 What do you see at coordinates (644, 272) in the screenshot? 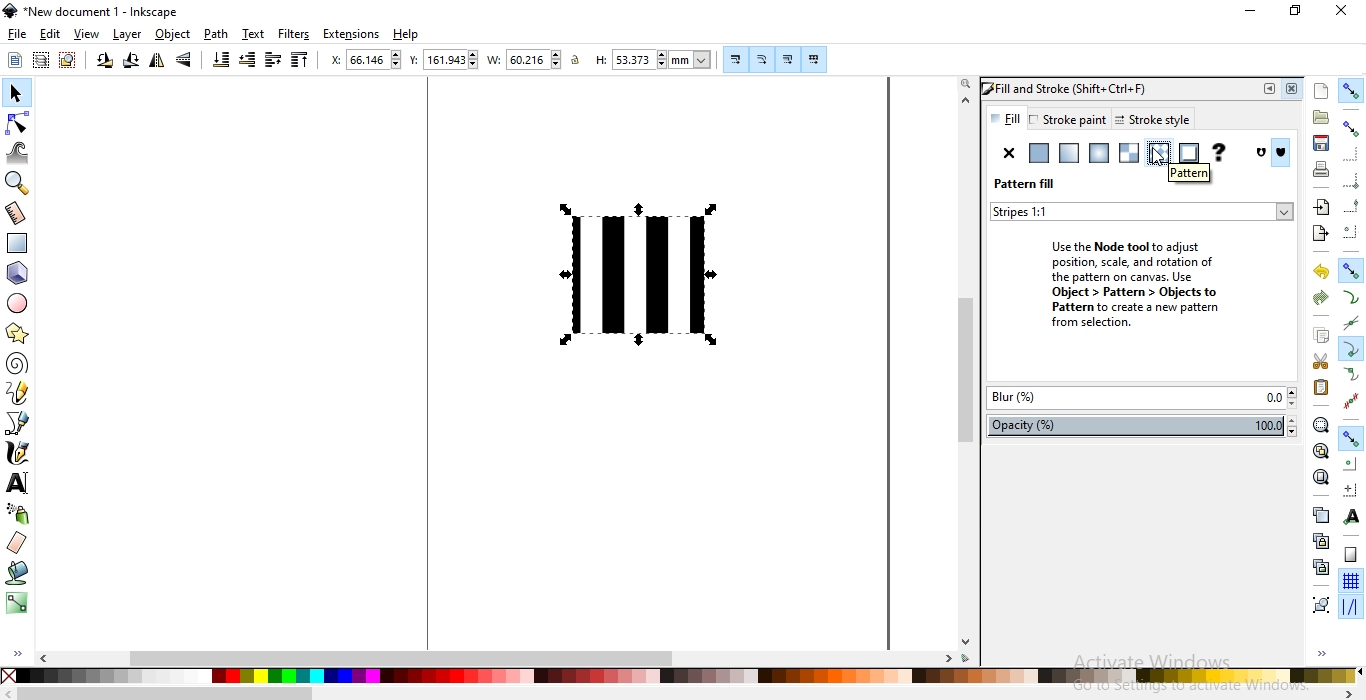
I see `image` at bounding box center [644, 272].